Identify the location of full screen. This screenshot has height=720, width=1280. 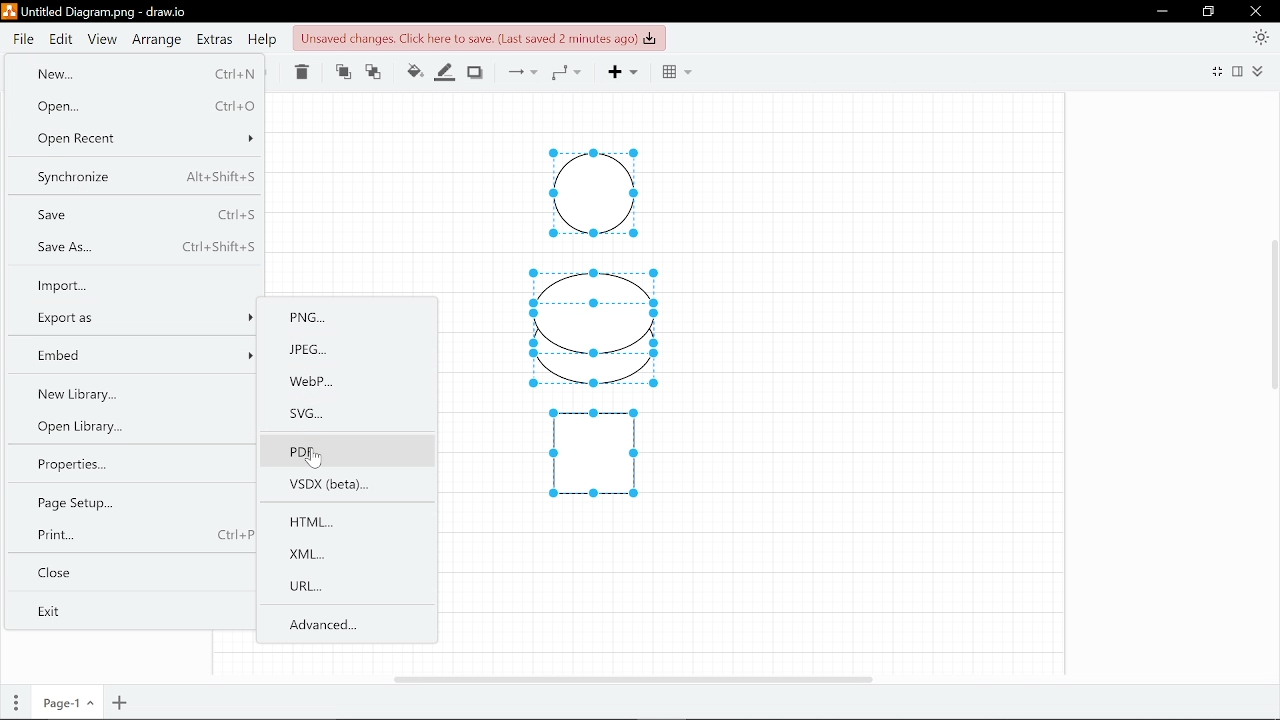
(1218, 70).